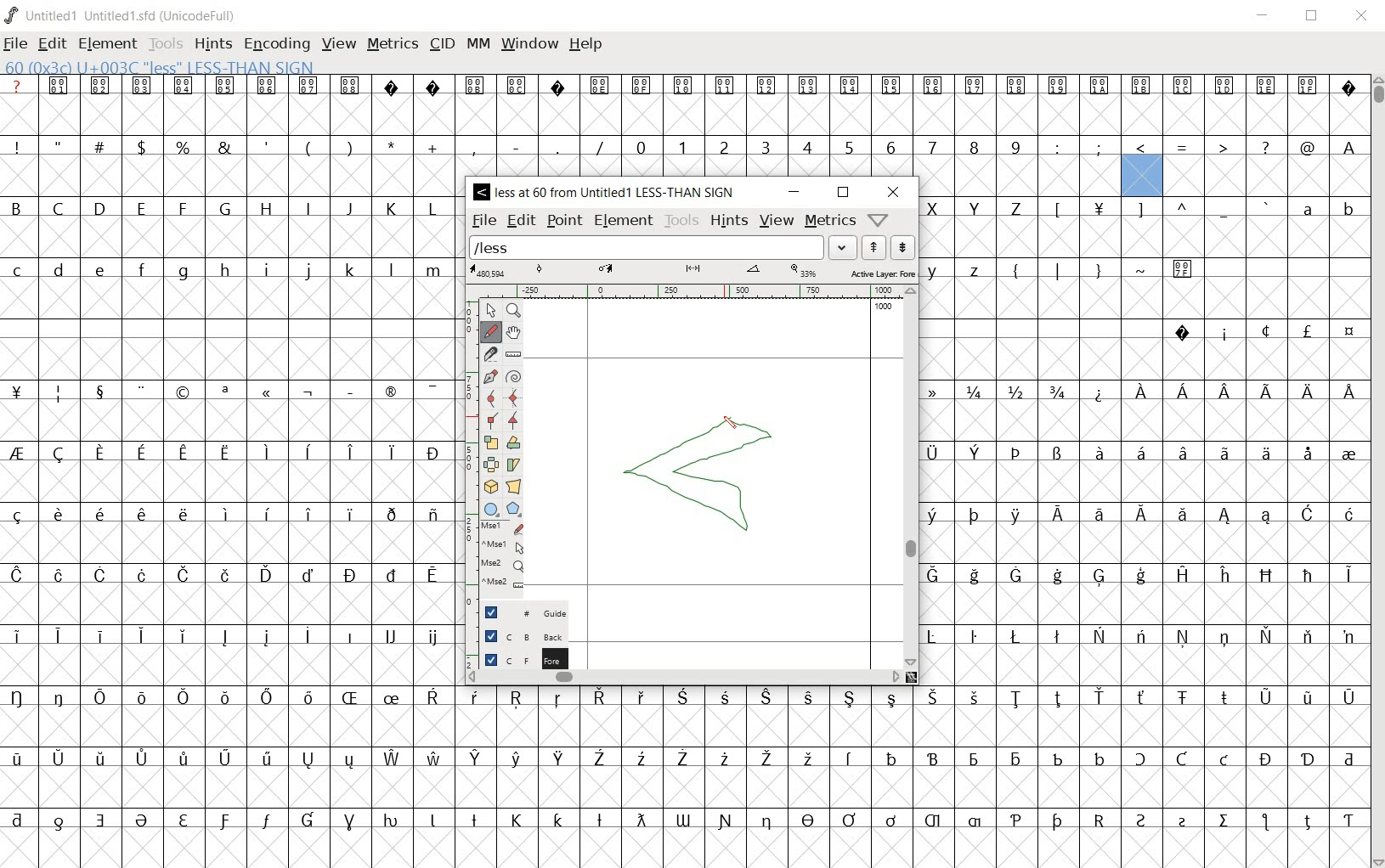  What do you see at coordinates (516, 635) in the screenshot?
I see `background` at bounding box center [516, 635].